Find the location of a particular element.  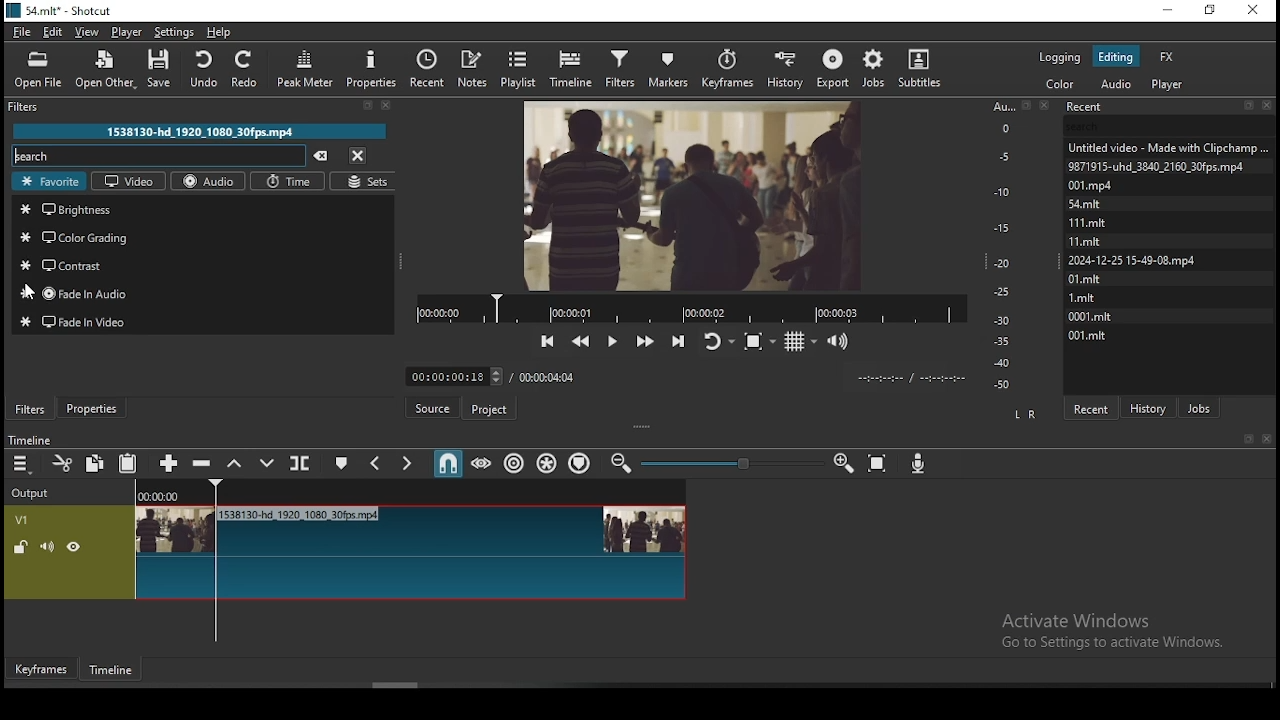

editing is located at coordinates (1115, 57).